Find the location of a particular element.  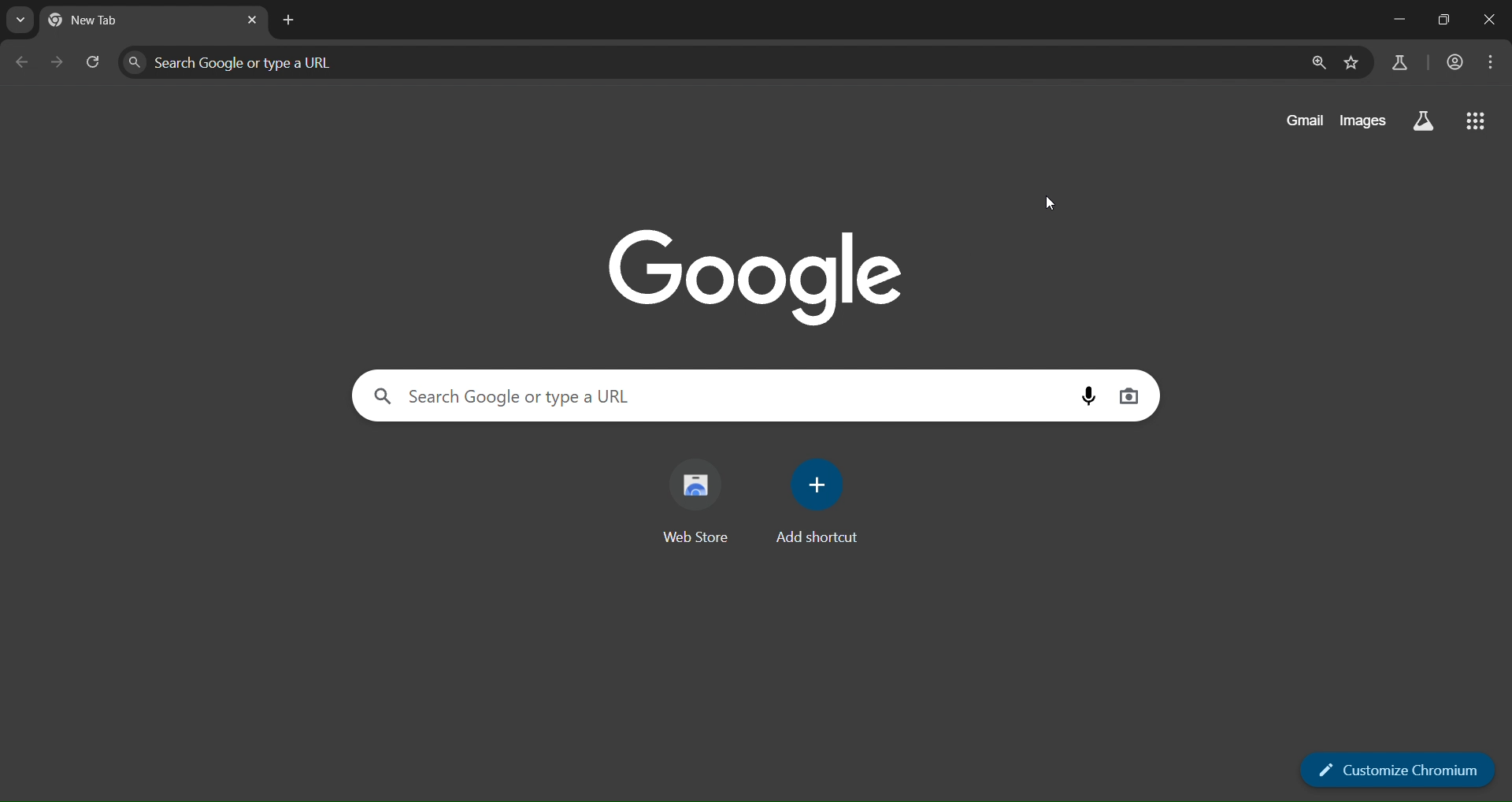

Search Google or type a URL is located at coordinates (500, 395).